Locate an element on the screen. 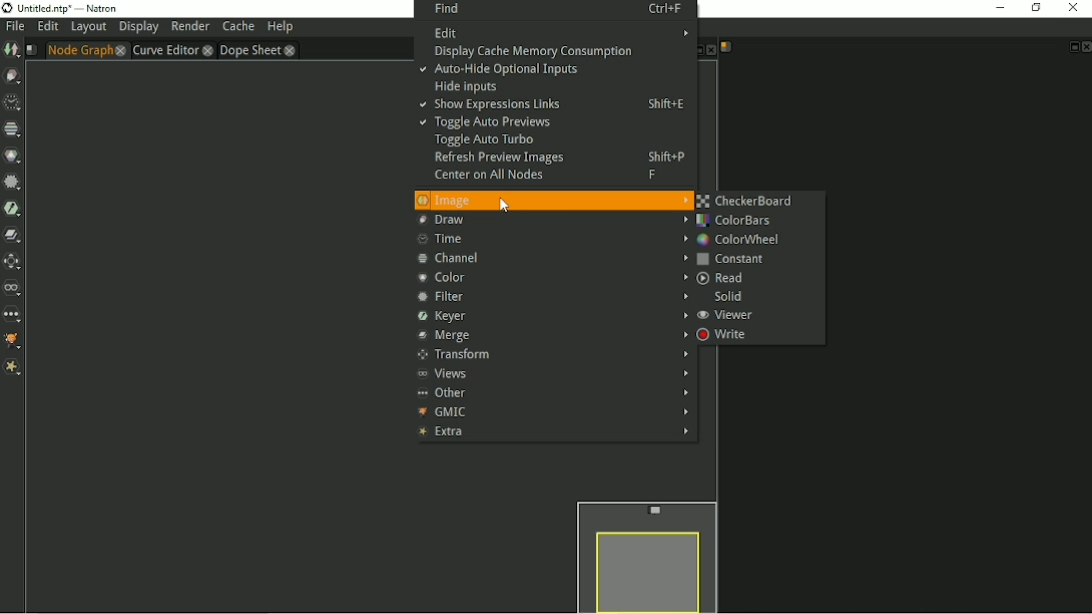  Restore down is located at coordinates (1034, 8).